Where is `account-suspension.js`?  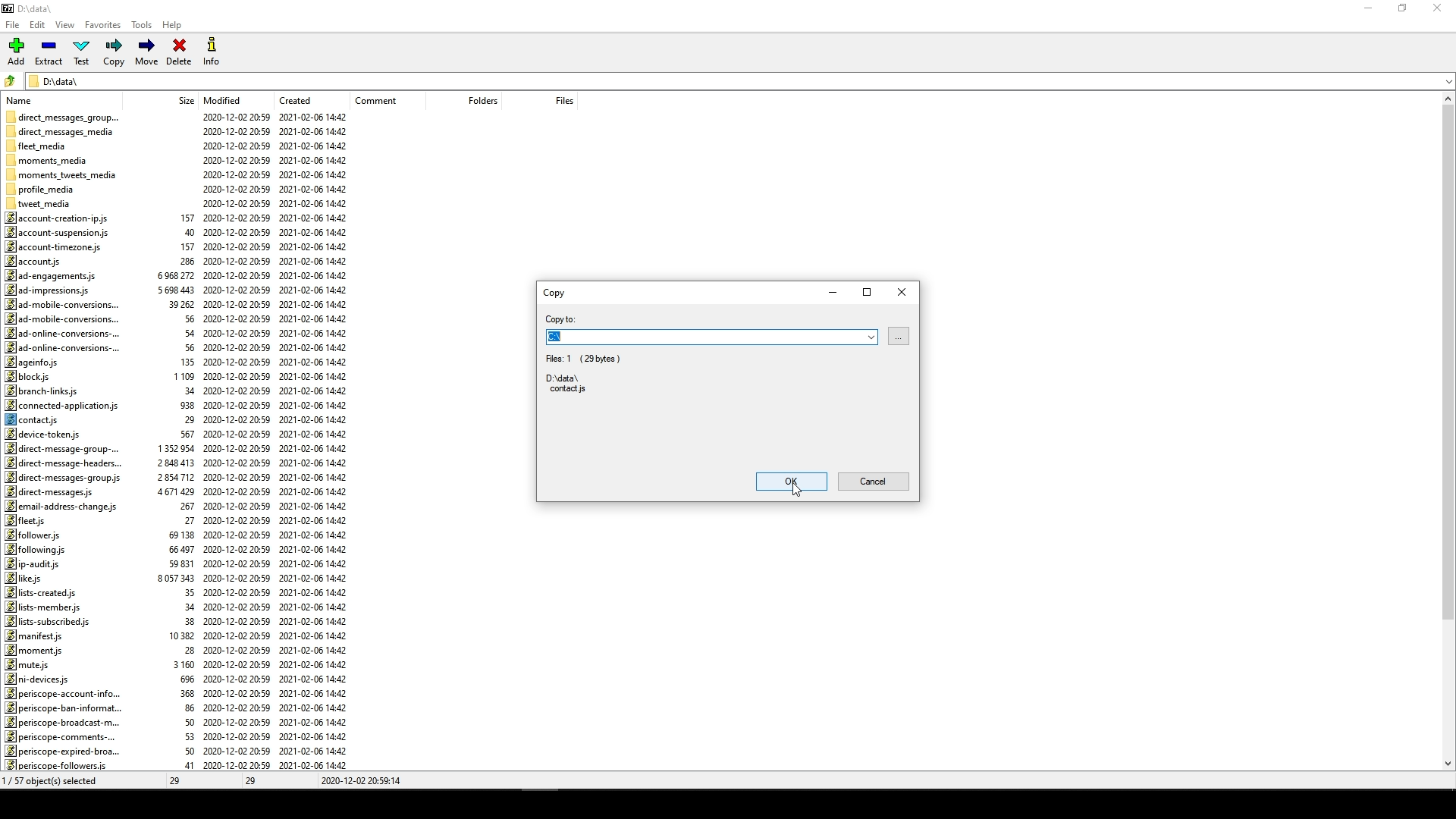
account-suspension.js is located at coordinates (58, 231).